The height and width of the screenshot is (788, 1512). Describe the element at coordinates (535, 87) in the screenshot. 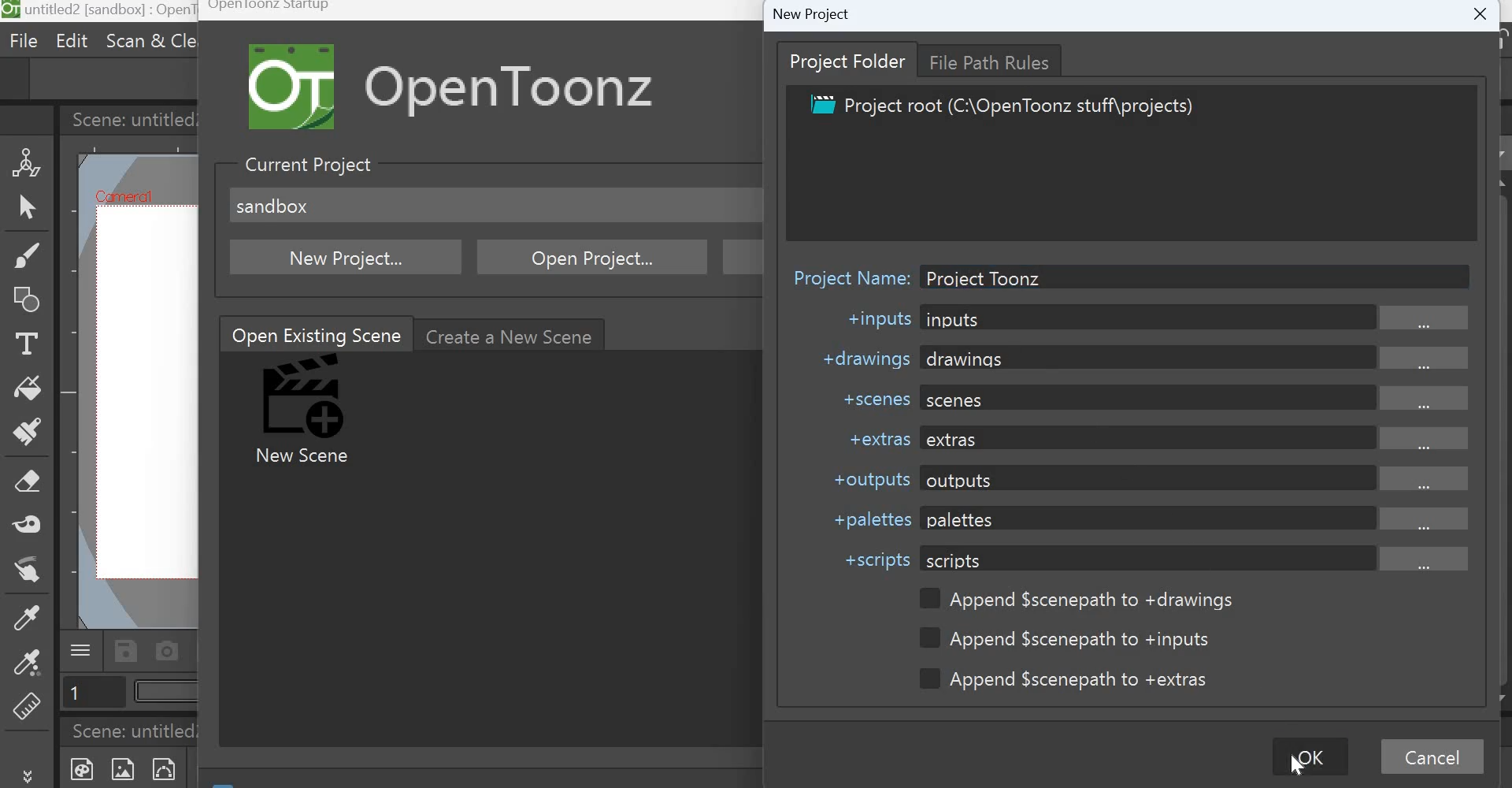

I see `Open Toonz` at that location.